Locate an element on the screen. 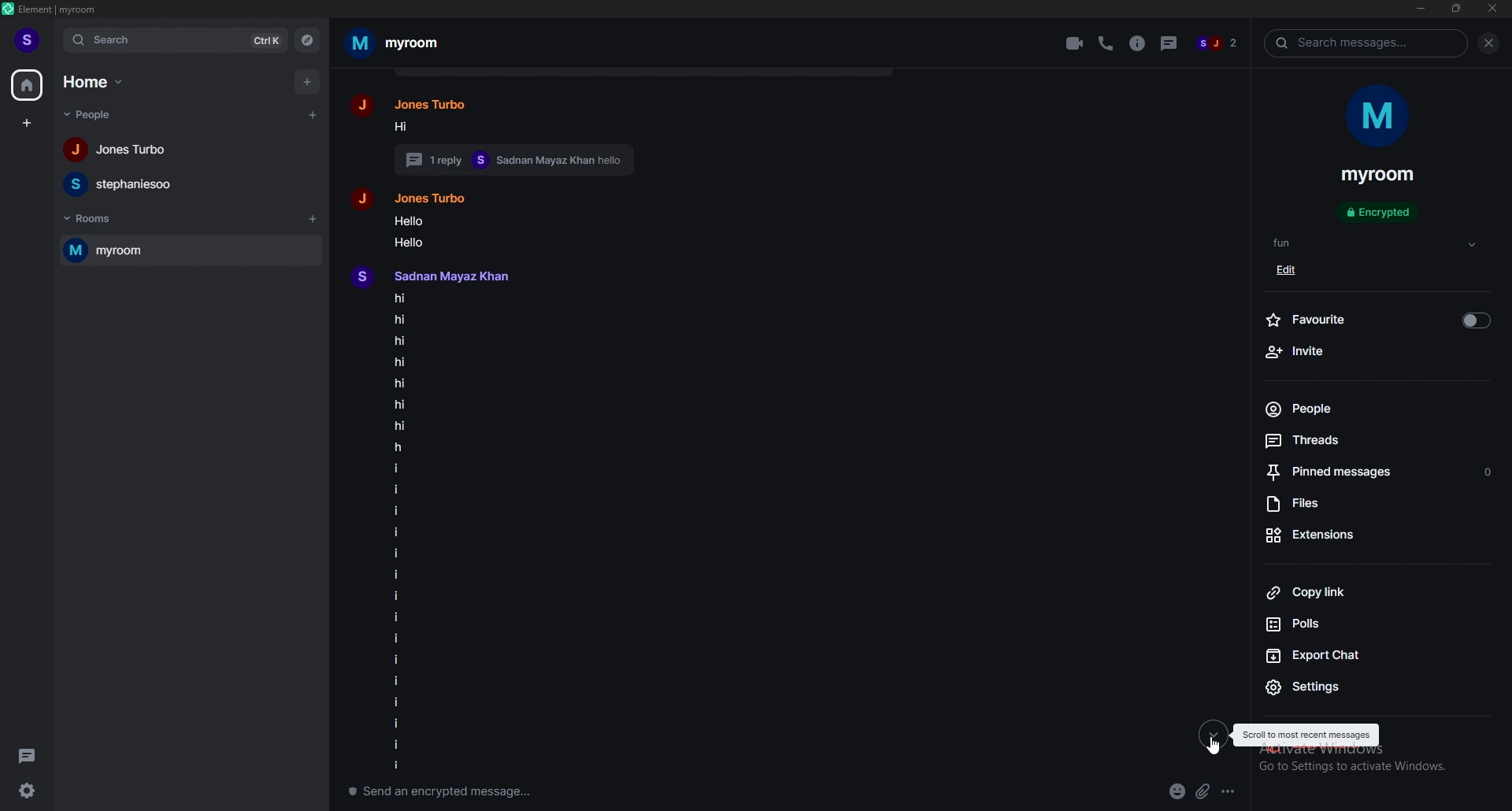 This screenshot has height=811, width=1512. create space is located at coordinates (29, 123).